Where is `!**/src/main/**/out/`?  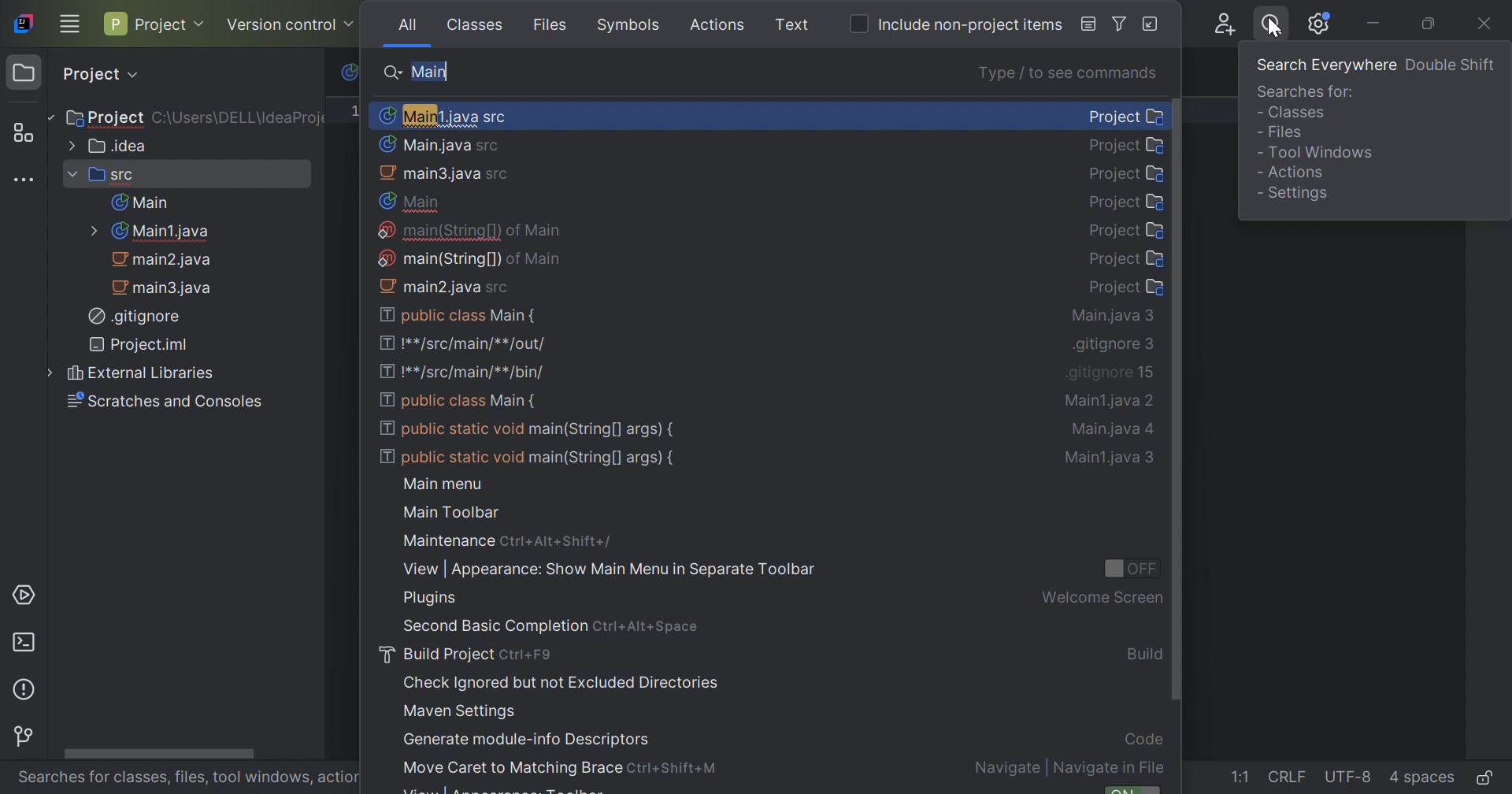
!**/src/main/**/out/ is located at coordinates (465, 345).